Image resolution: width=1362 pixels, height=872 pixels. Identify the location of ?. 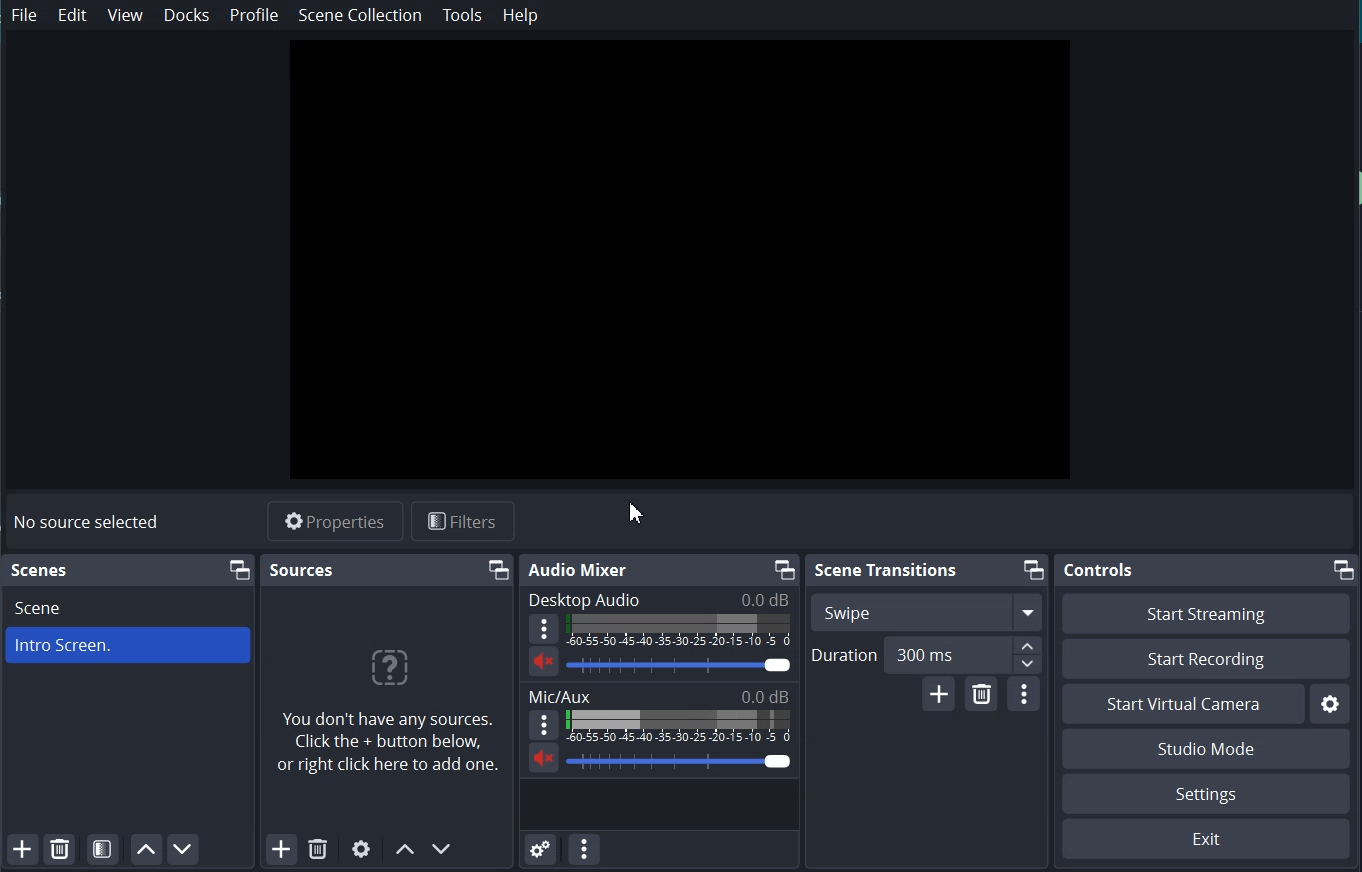
(387, 672).